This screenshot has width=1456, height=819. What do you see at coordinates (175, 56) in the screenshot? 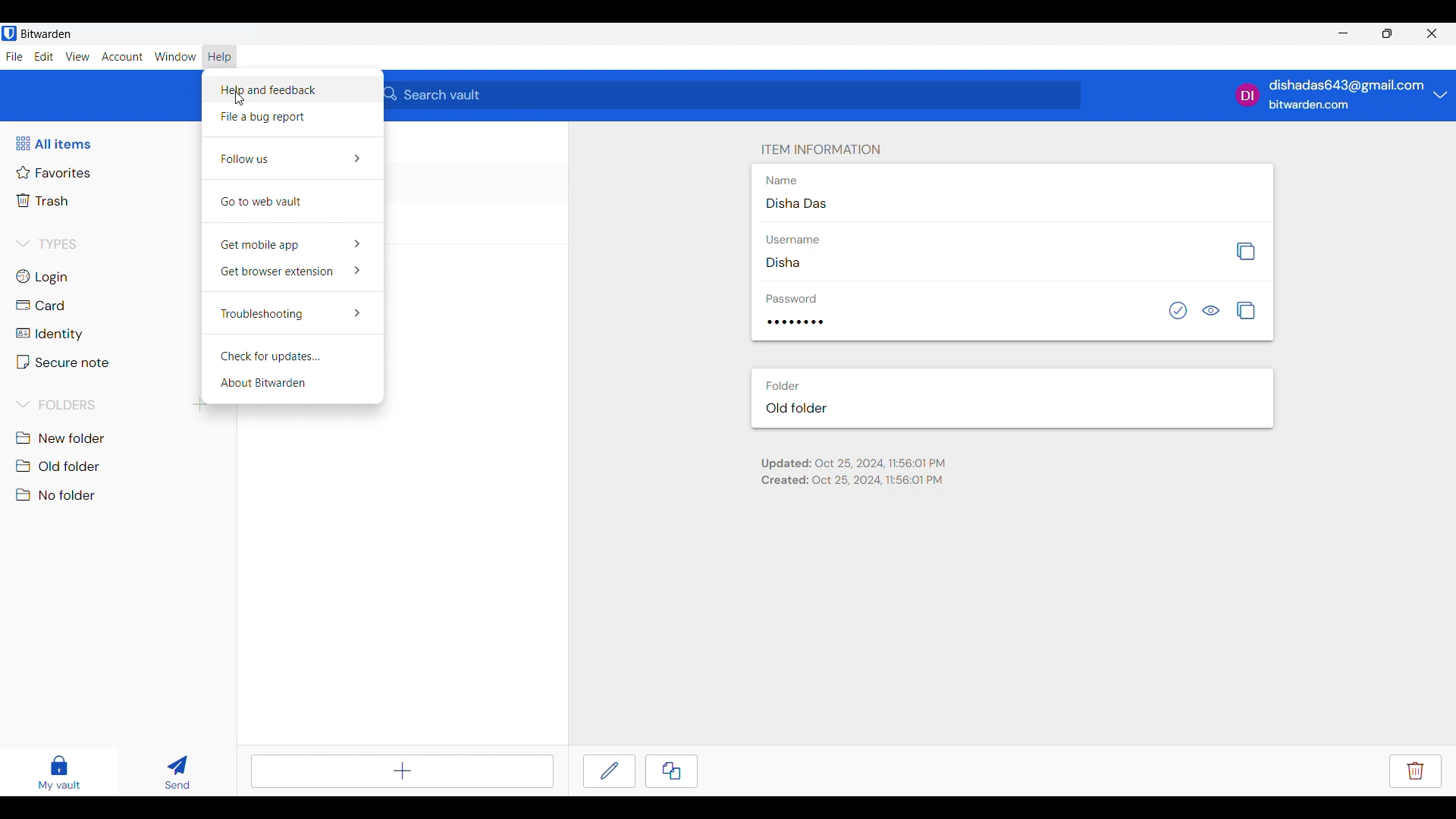
I see `Window menu` at bounding box center [175, 56].